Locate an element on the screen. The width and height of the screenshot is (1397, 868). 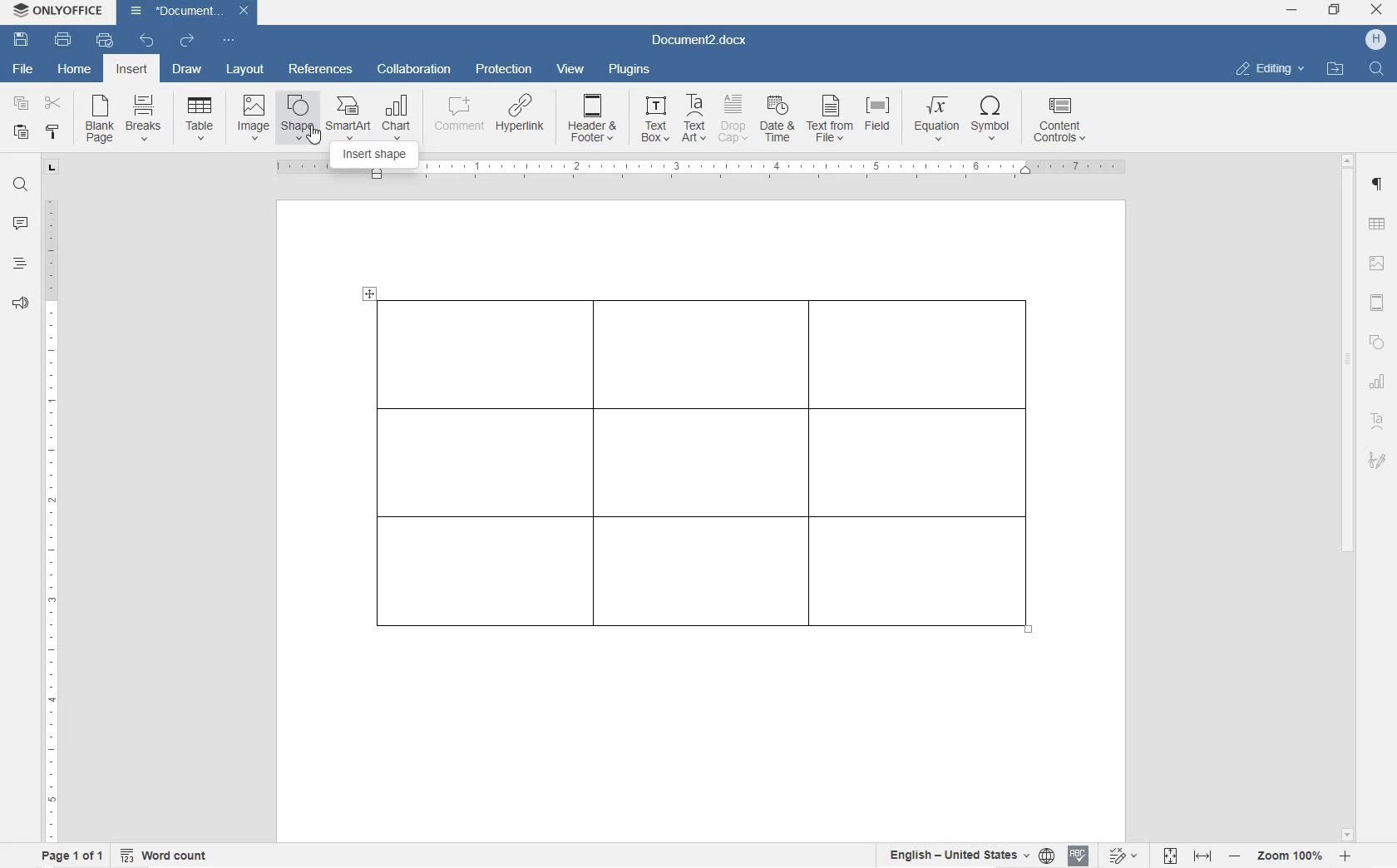
FIELD is located at coordinates (881, 121).